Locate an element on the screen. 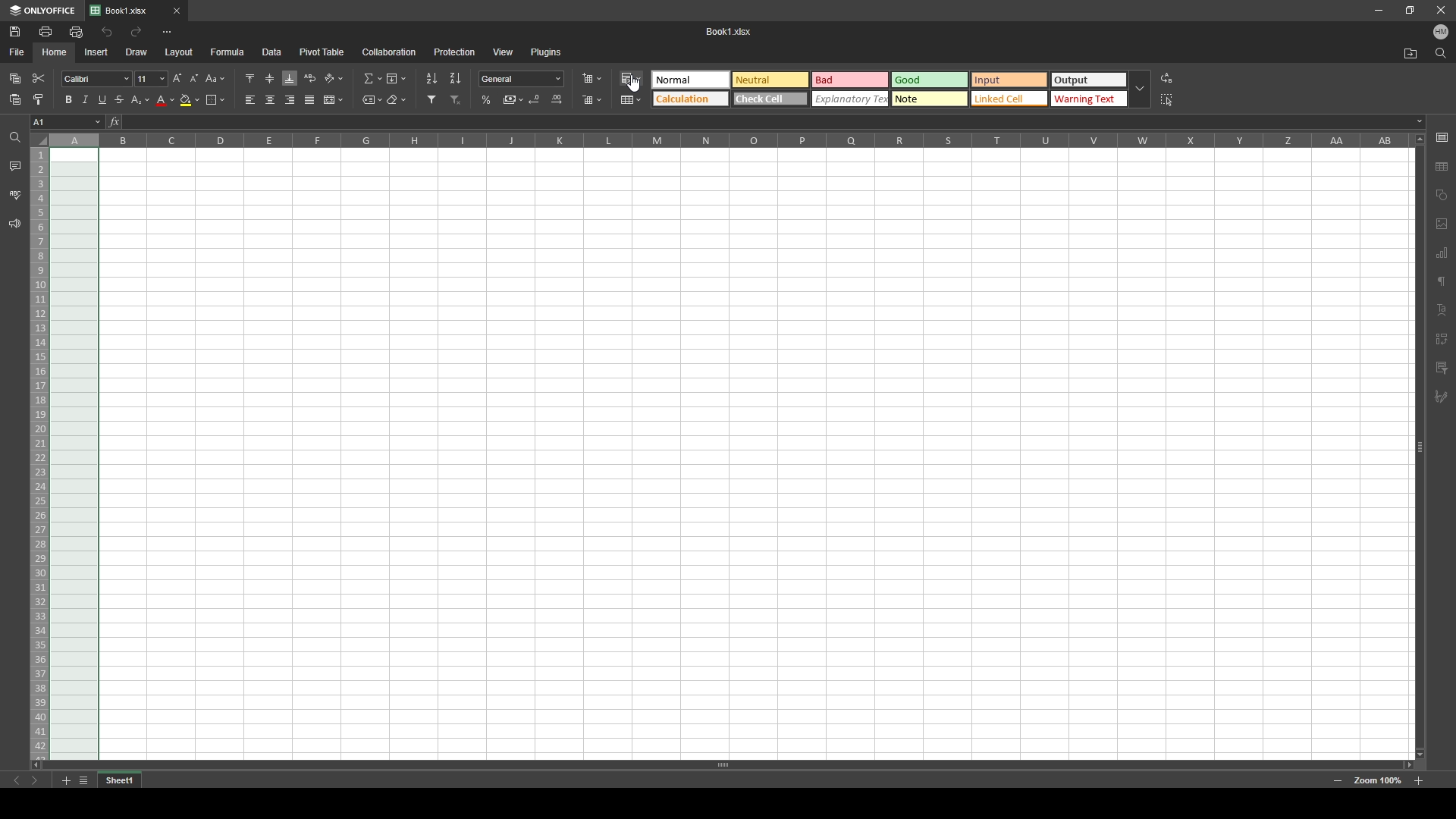 The width and height of the screenshot is (1456, 819). Booki .Xlsx is located at coordinates (730, 31).